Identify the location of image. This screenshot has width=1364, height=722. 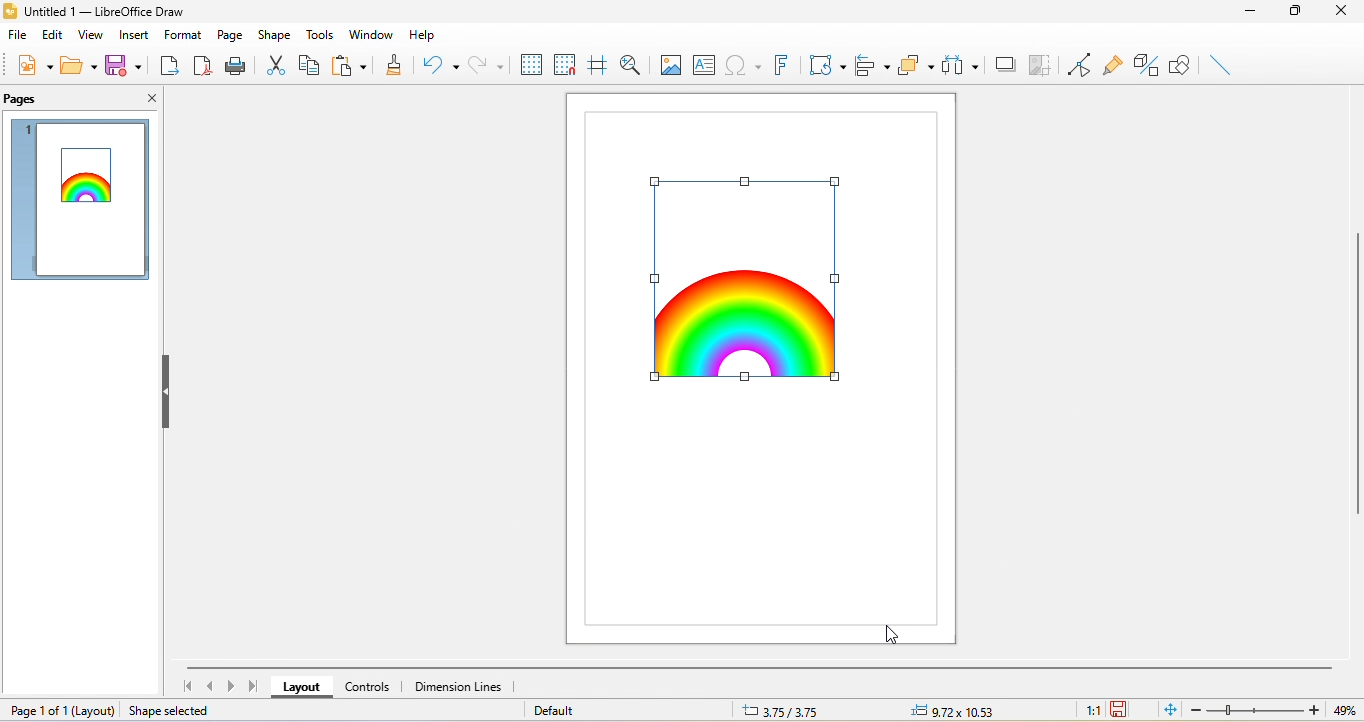
(672, 64).